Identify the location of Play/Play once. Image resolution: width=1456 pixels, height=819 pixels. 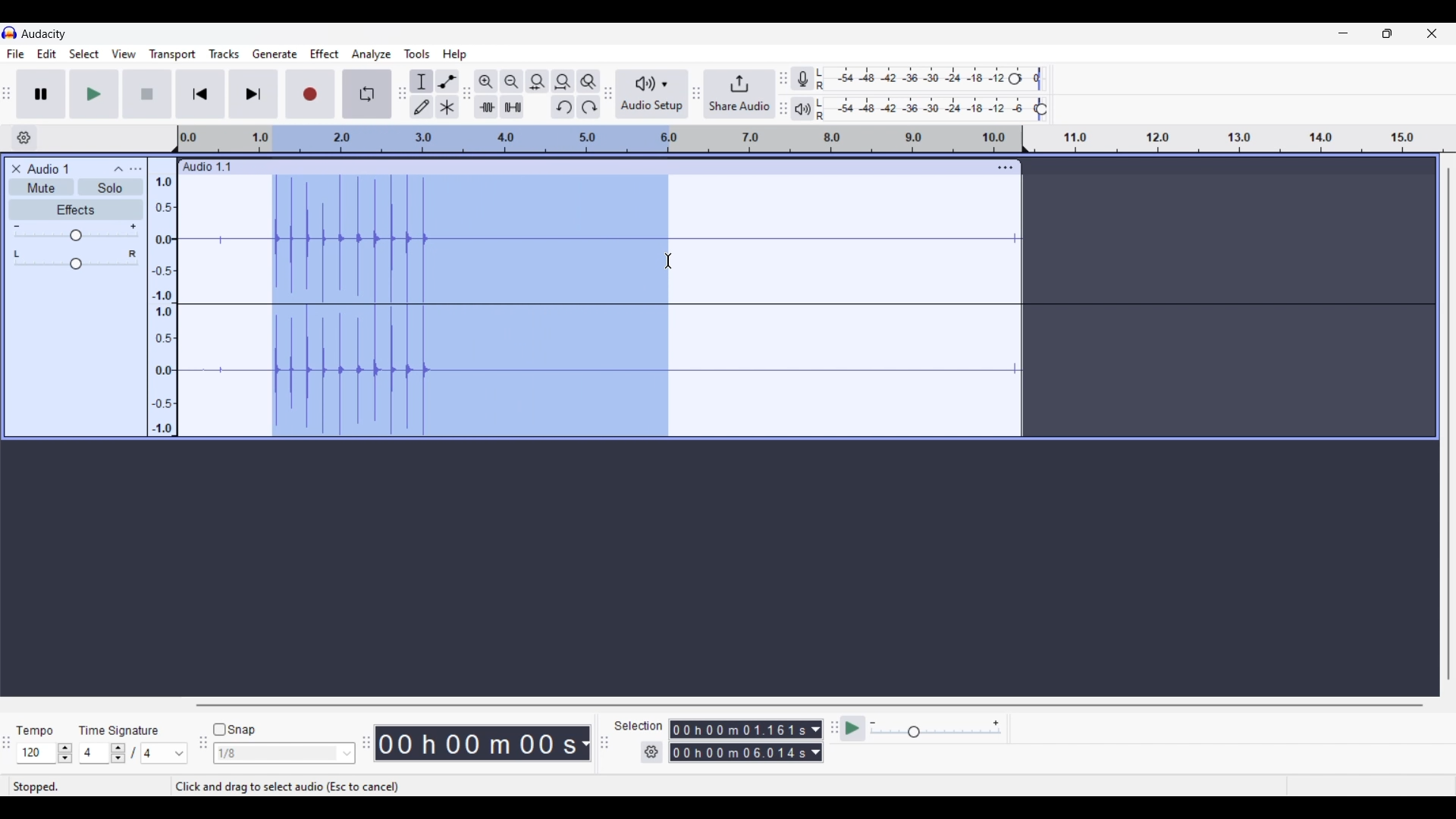
(94, 93).